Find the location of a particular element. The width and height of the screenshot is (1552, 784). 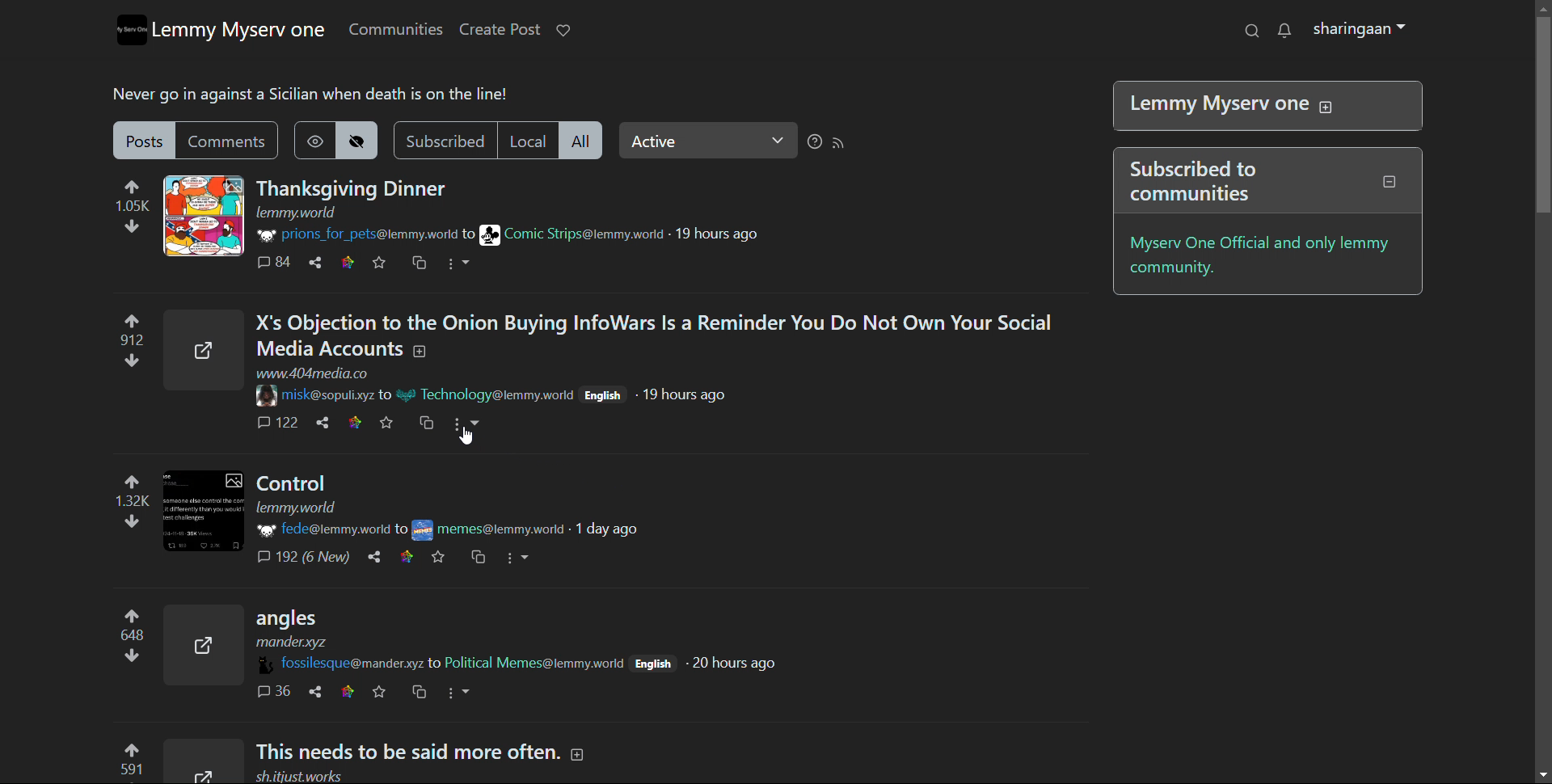

post on "Thanksgiving Dinner" is located at coordinates (353, 189).